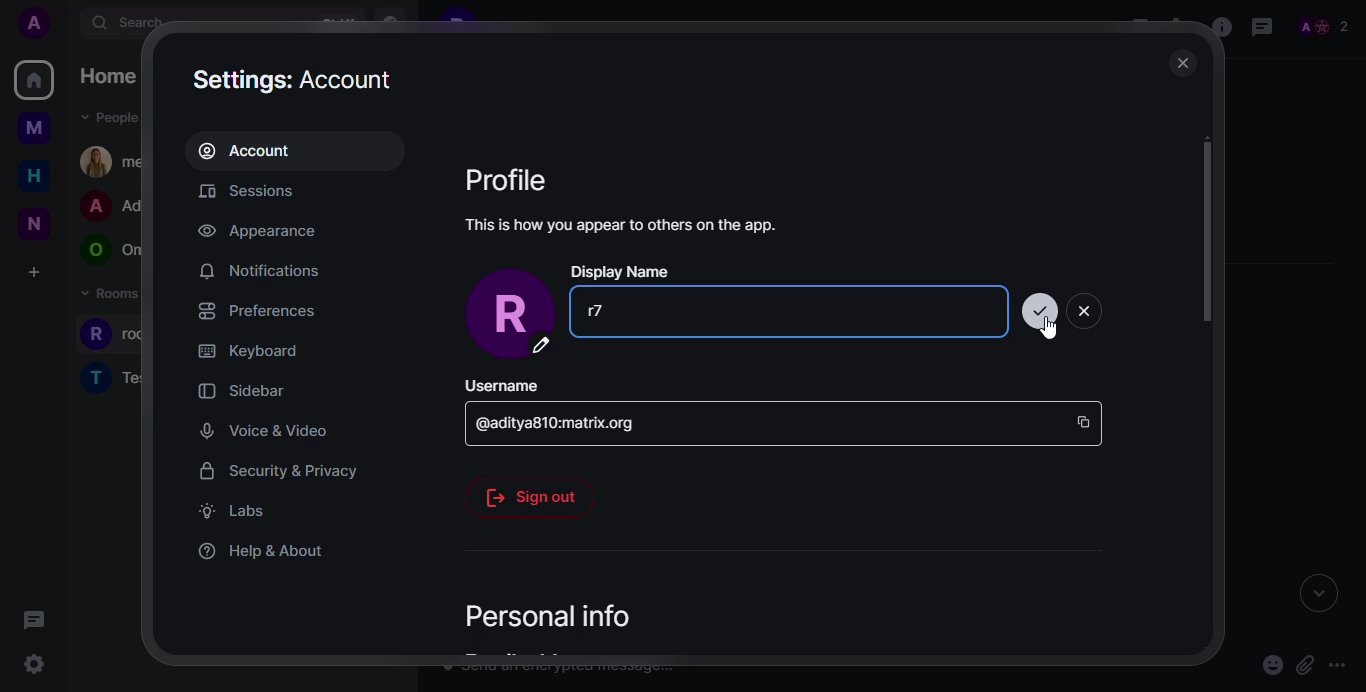 This screenshot has width=1366, height=692. What do you see at coordinates (297, 77) in the screenshot?
I see `settings: account` at bounding box center [297, 77].